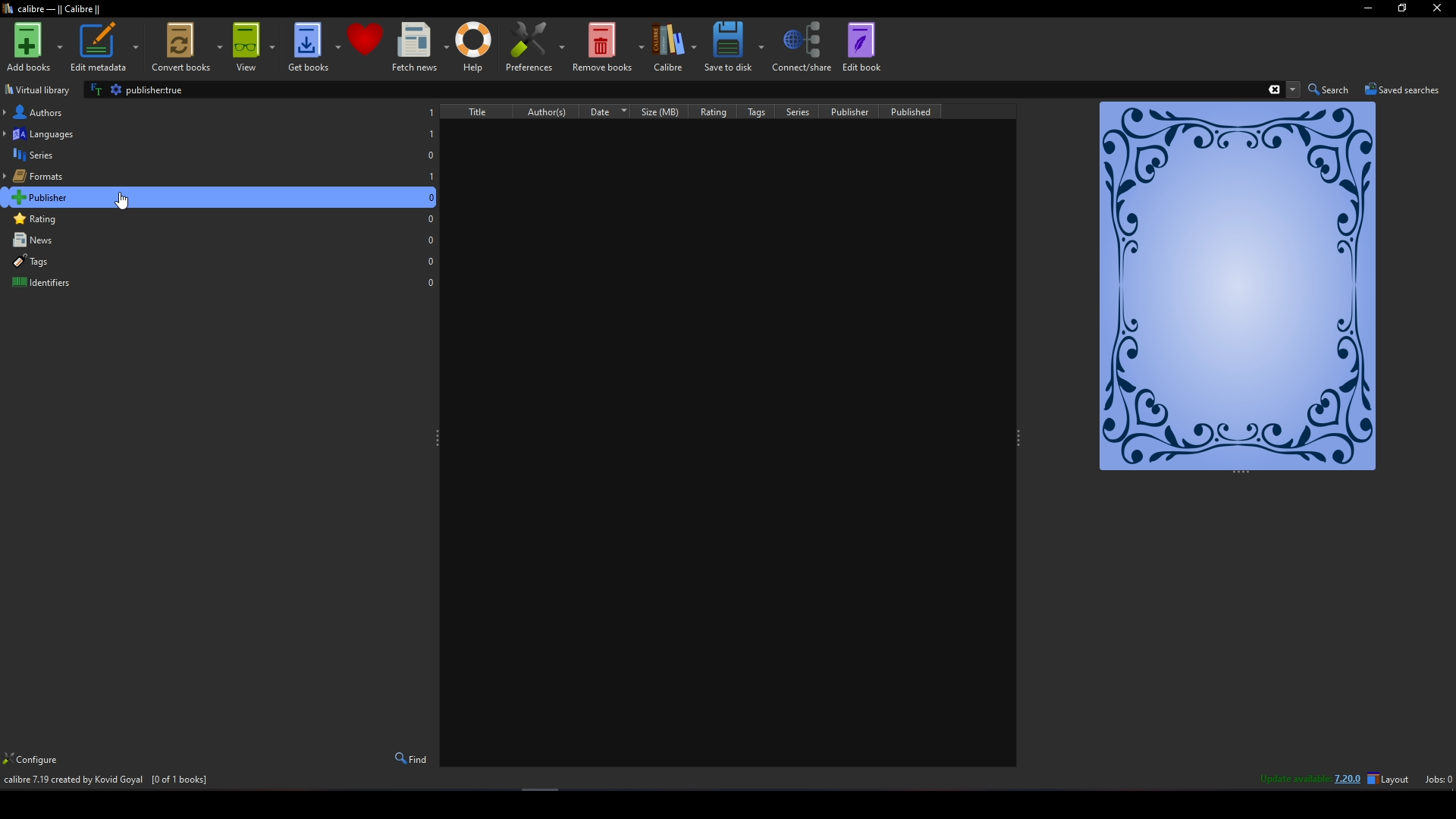 The width and height of the screenshot is (1456, 819). Describe the element at coordinates (366, 39) in the screenshot. I see `Donate` at that location.